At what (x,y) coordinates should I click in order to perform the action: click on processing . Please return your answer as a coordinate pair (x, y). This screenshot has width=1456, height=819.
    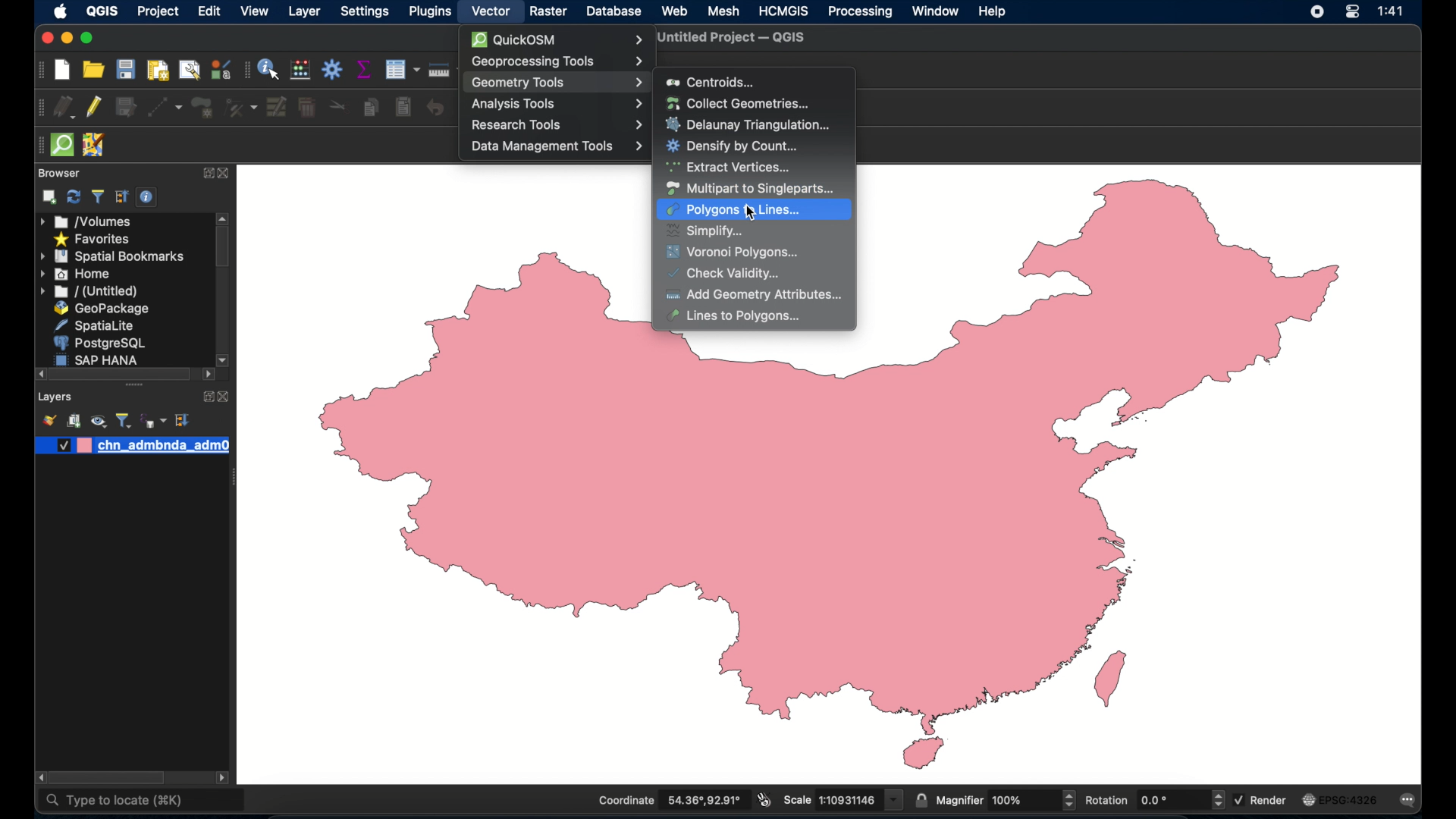
    Looking at the image, I should click on (861, 12).